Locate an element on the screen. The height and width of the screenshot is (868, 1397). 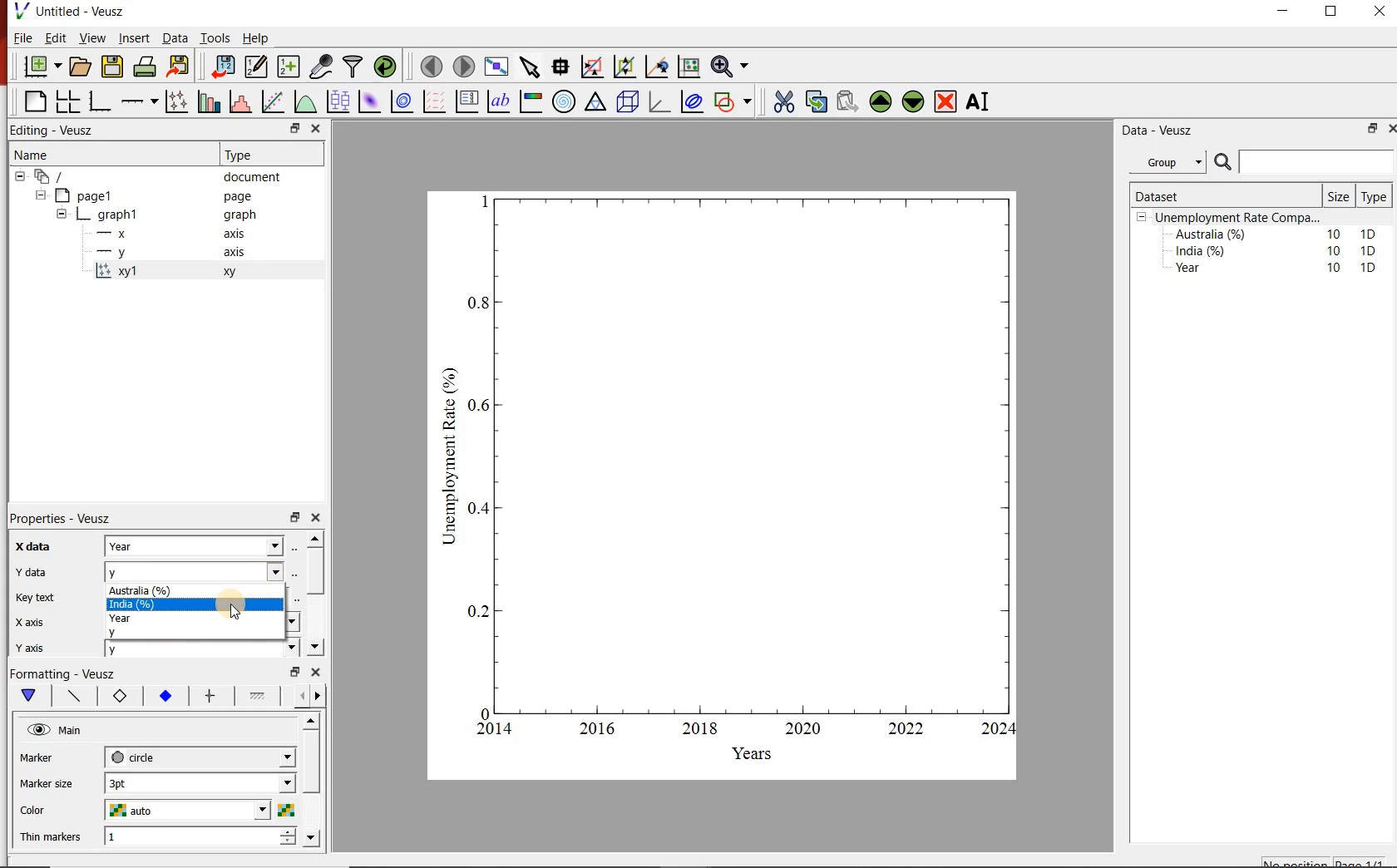
collapse is located at coordinates (19, 176).